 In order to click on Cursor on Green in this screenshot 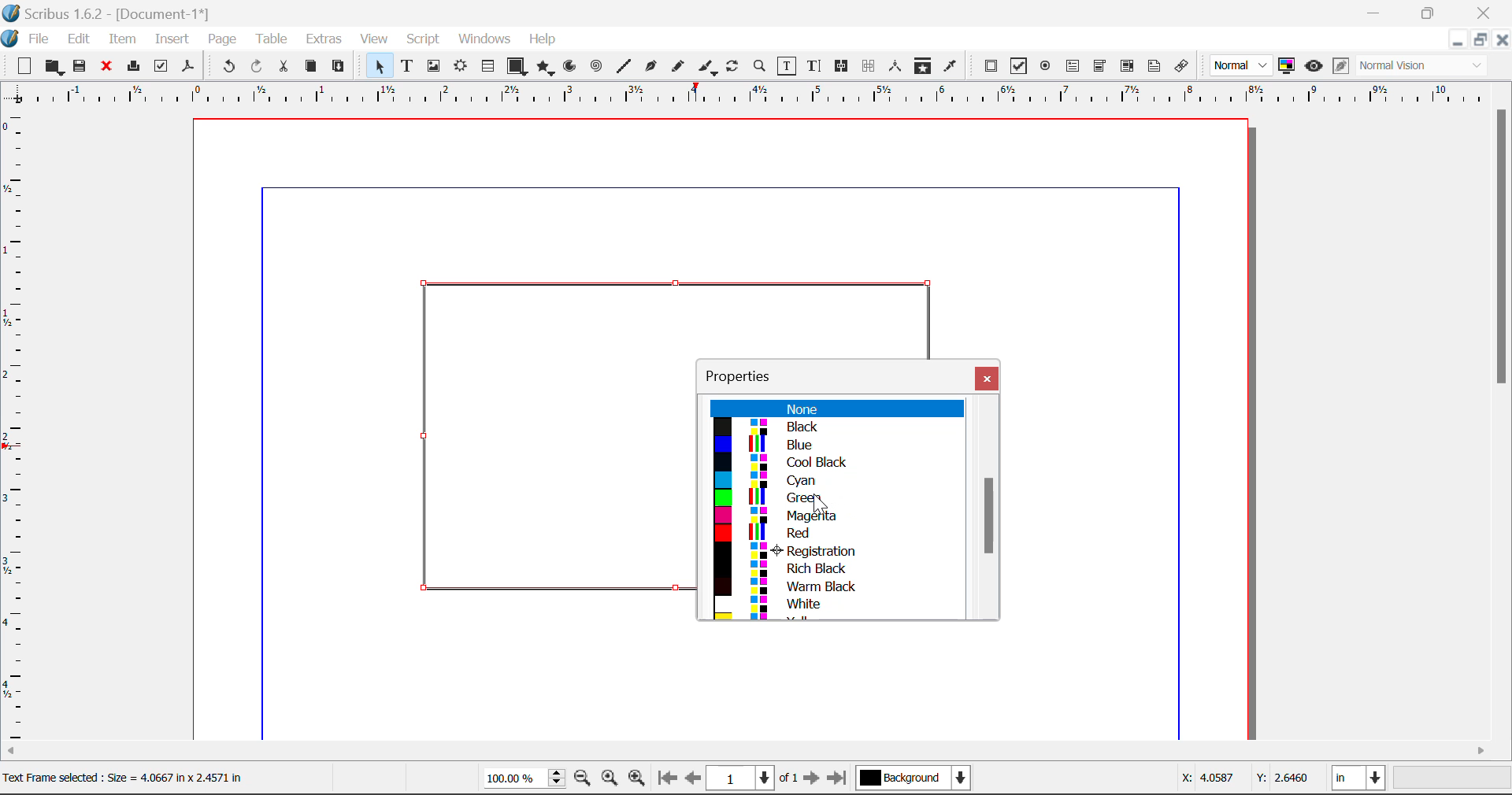, I will do `click(824, 501)`.